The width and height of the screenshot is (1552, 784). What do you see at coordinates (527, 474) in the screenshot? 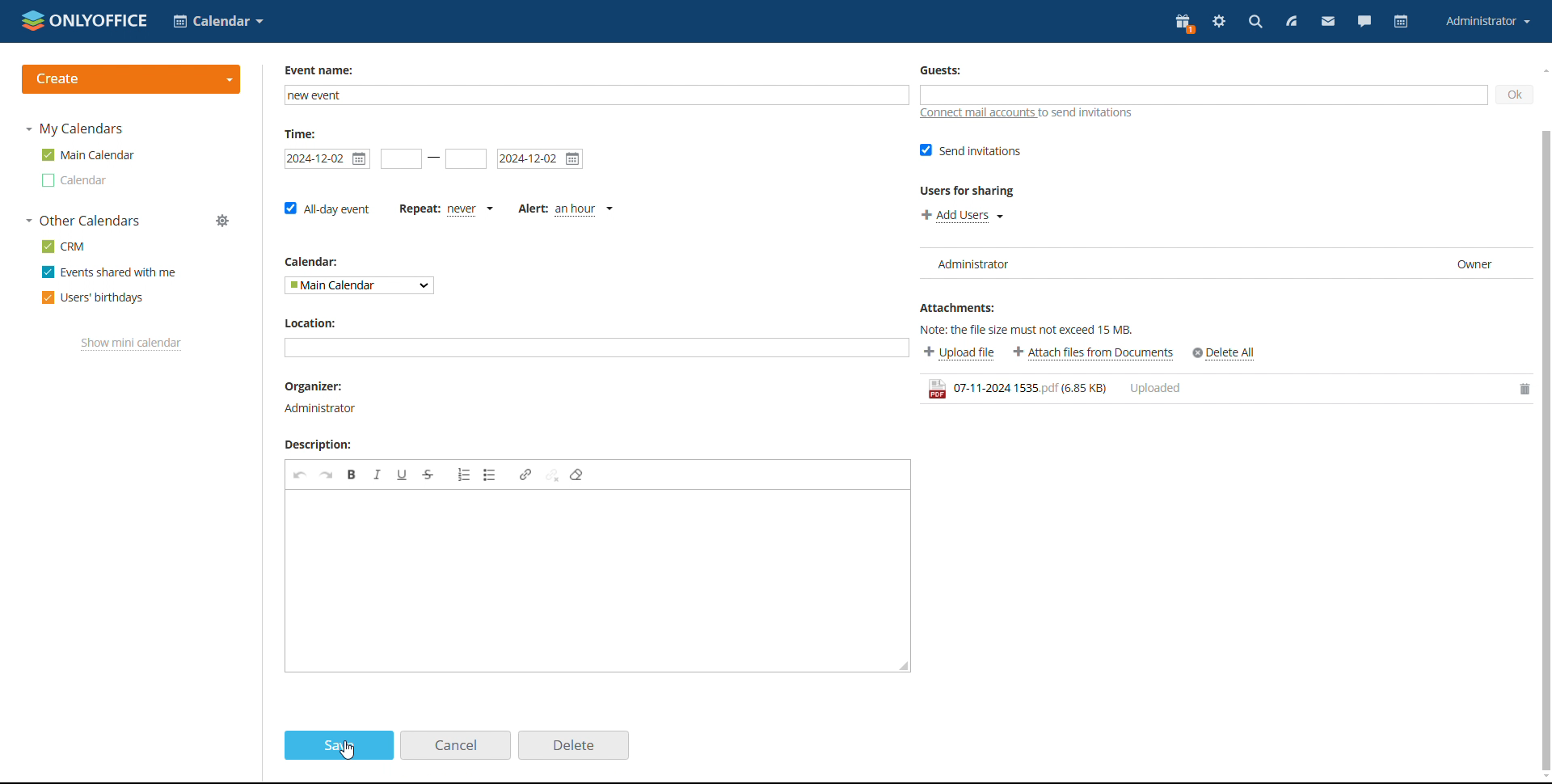
I see `link` at bounding box center [527, 474].